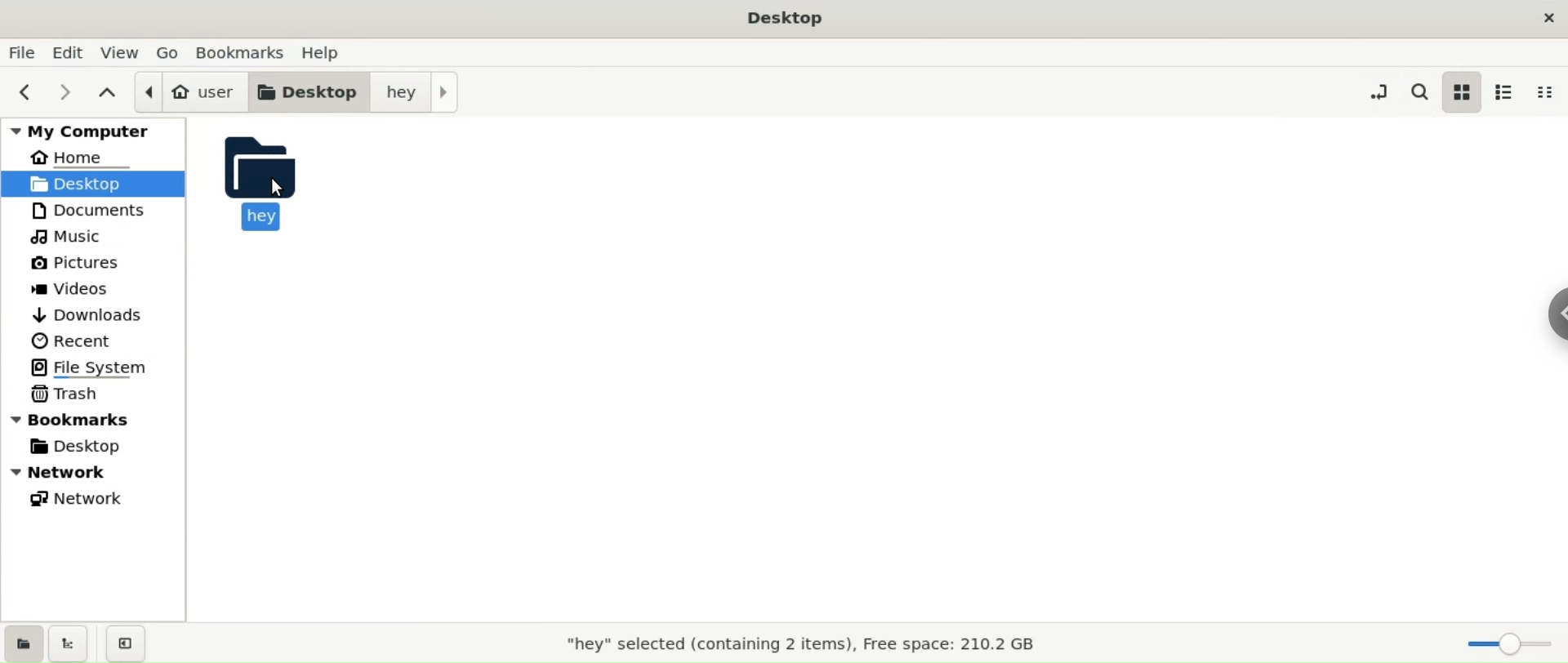  I want to click on compact view, so click(1546, 91).